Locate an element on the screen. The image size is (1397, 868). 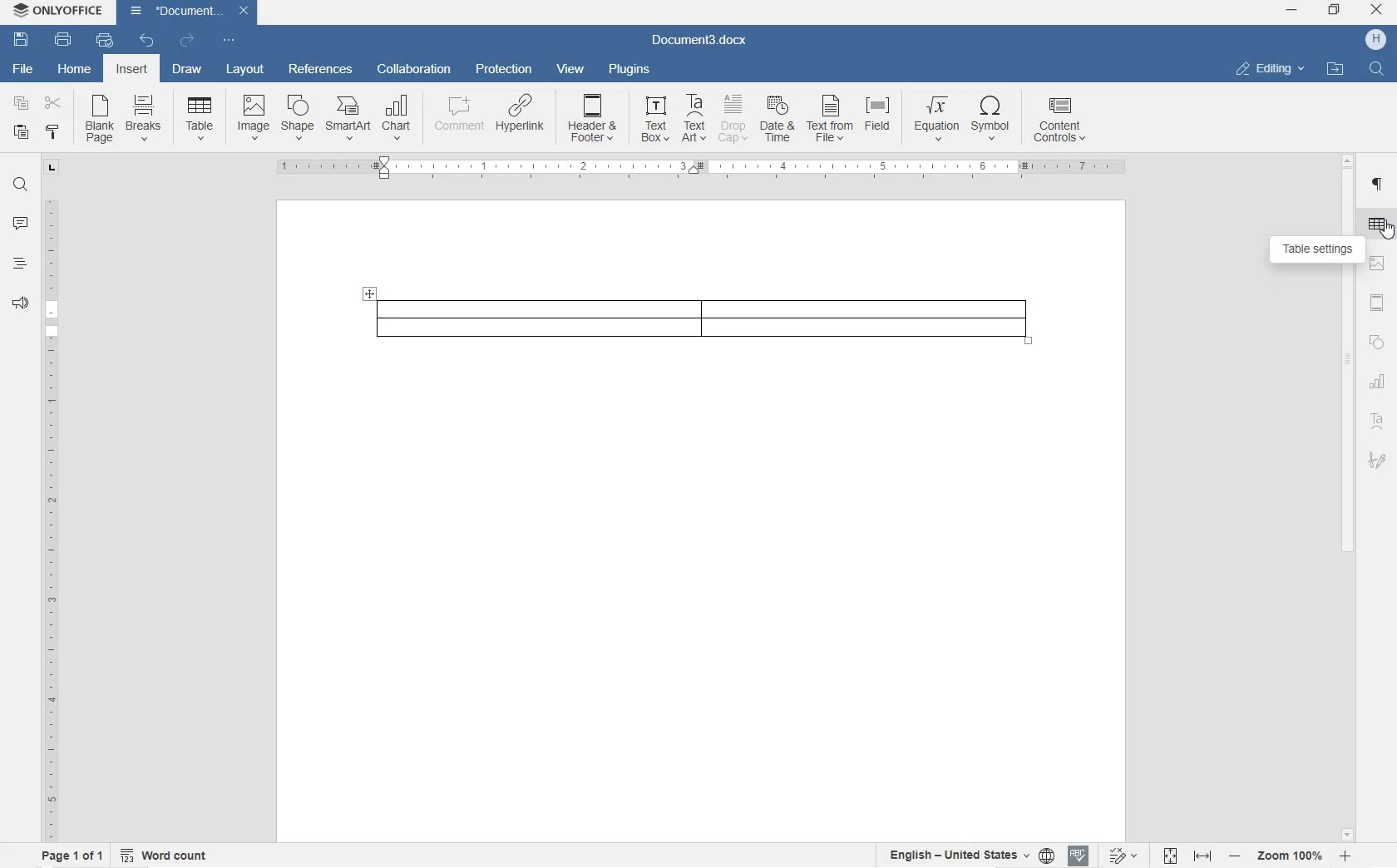
IMAGE is located at coordinates (1379, 264).